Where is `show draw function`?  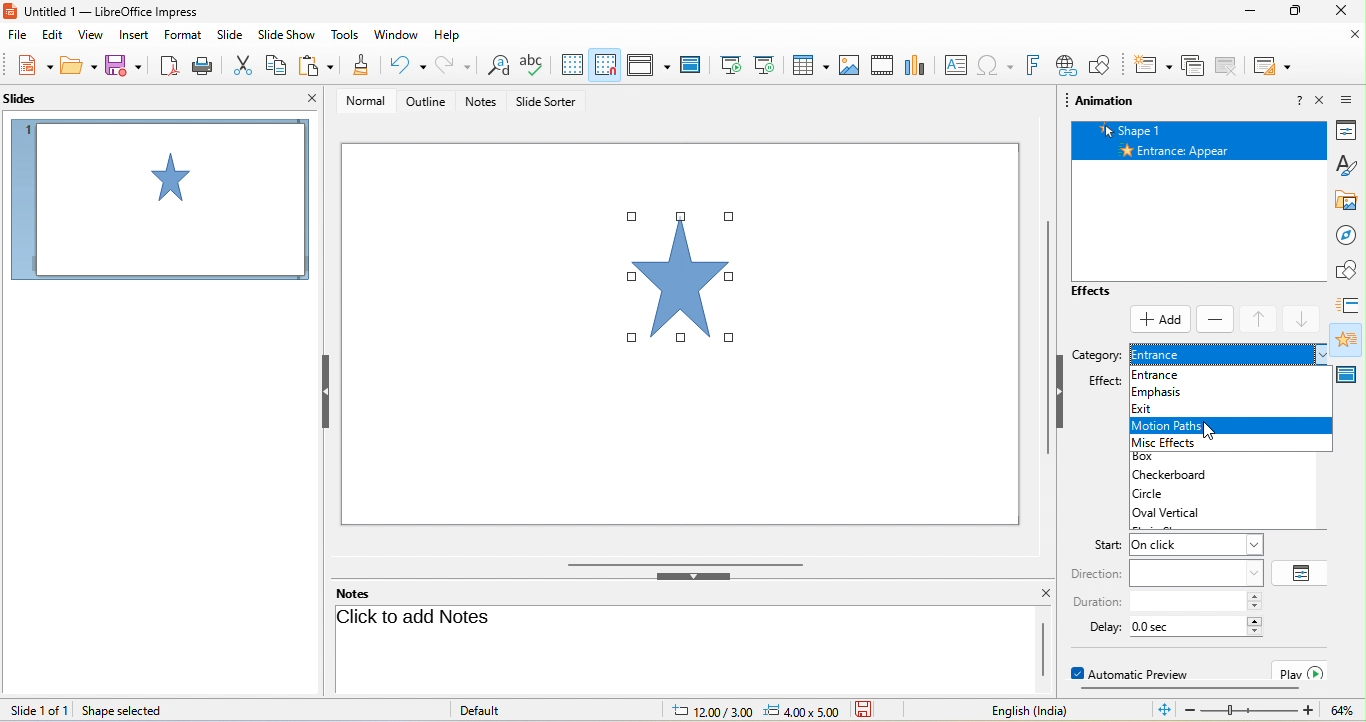 show draw function is located at coordinates (1100, 64).